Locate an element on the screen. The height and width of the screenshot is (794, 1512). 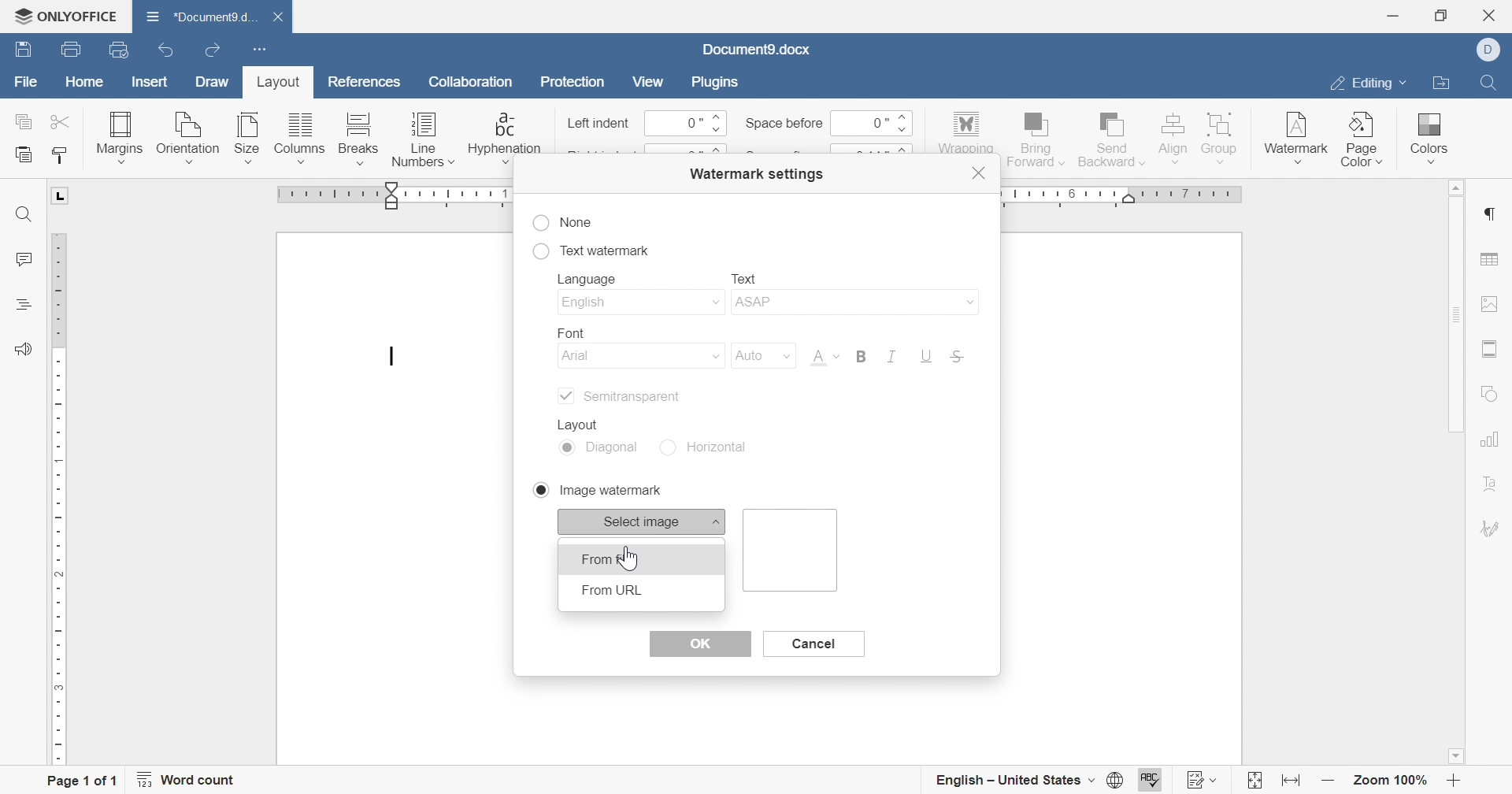
from file is located at coordinates (612, 558).